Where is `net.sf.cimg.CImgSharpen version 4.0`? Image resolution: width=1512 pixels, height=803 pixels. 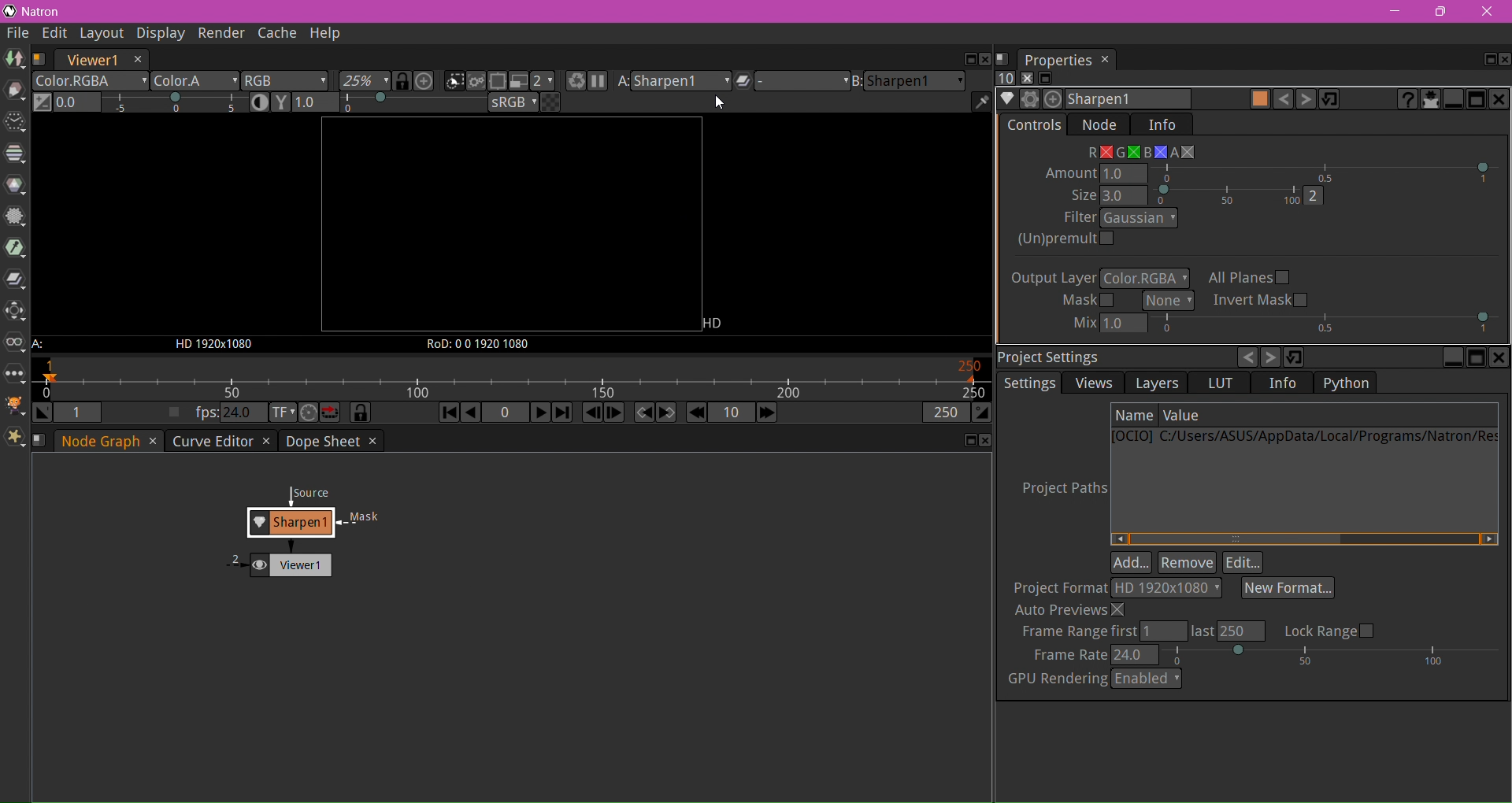
net.sf.cimg.CImgSharpen version 4.0 is located at coordinates (1405, 98).